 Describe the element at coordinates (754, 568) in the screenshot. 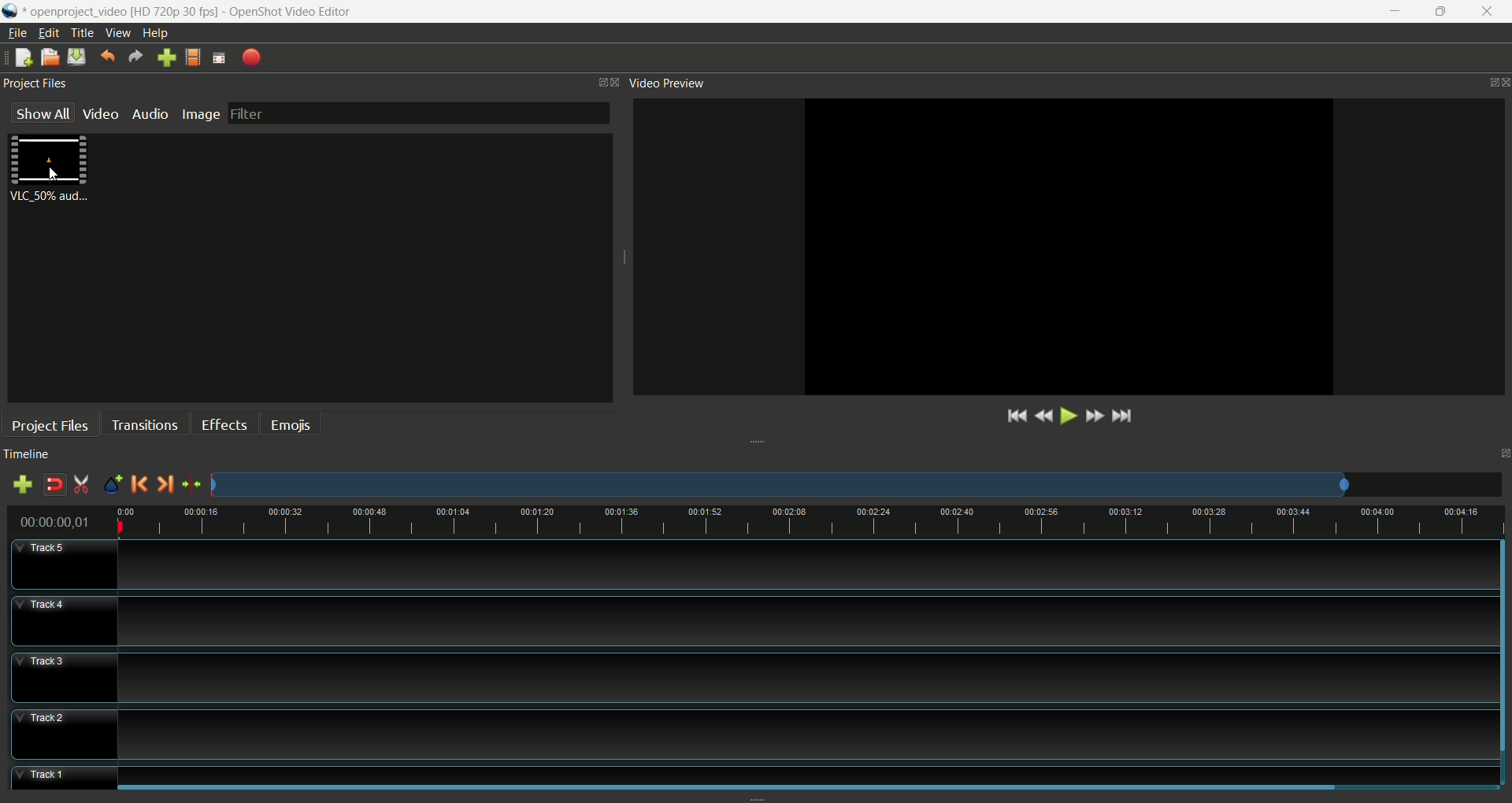

I see `track5` at that location.